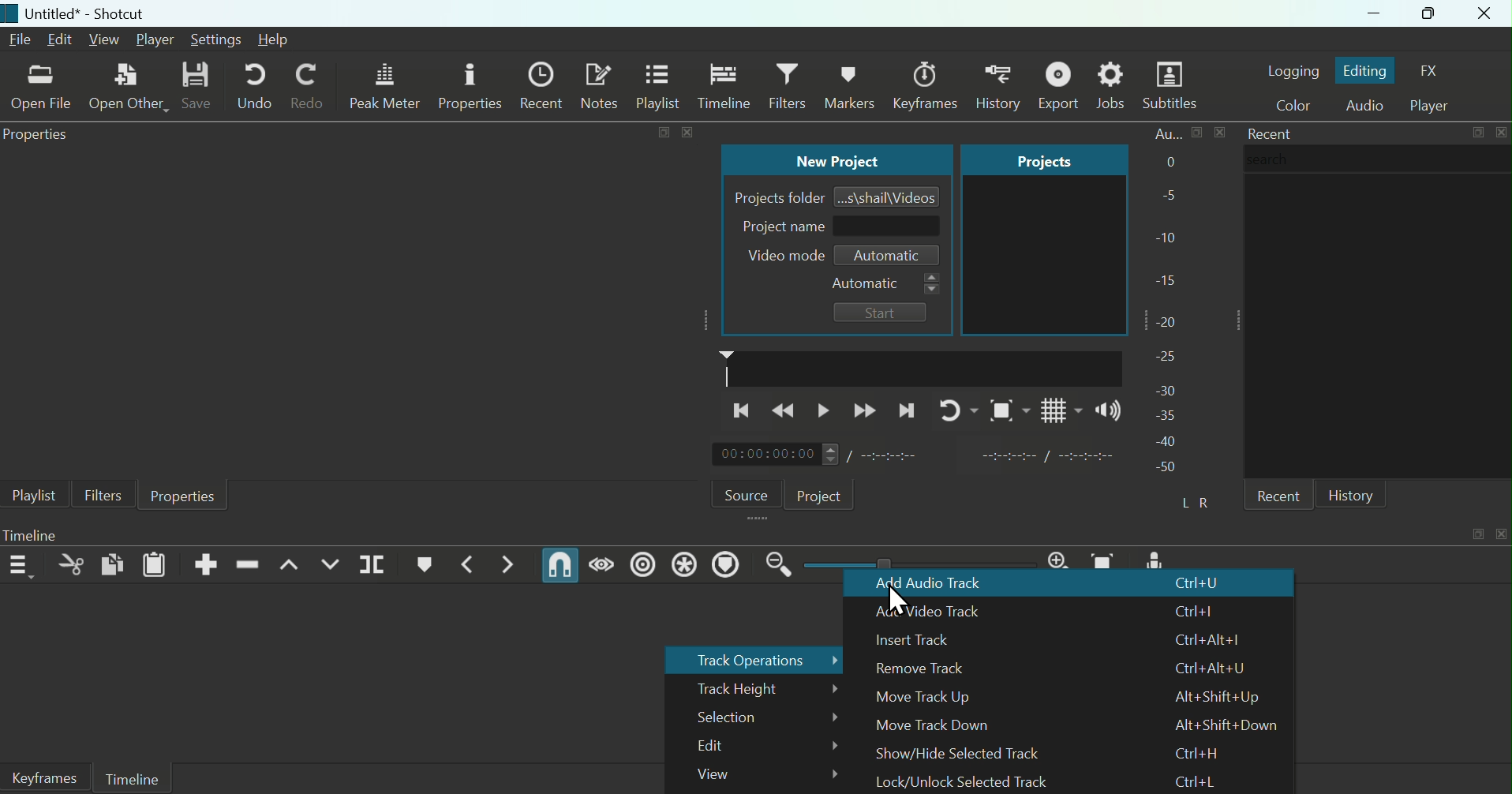 This screenshot has width=1512, height=794. I want to click on Show/Hide Selected Track, so click(960, 753).